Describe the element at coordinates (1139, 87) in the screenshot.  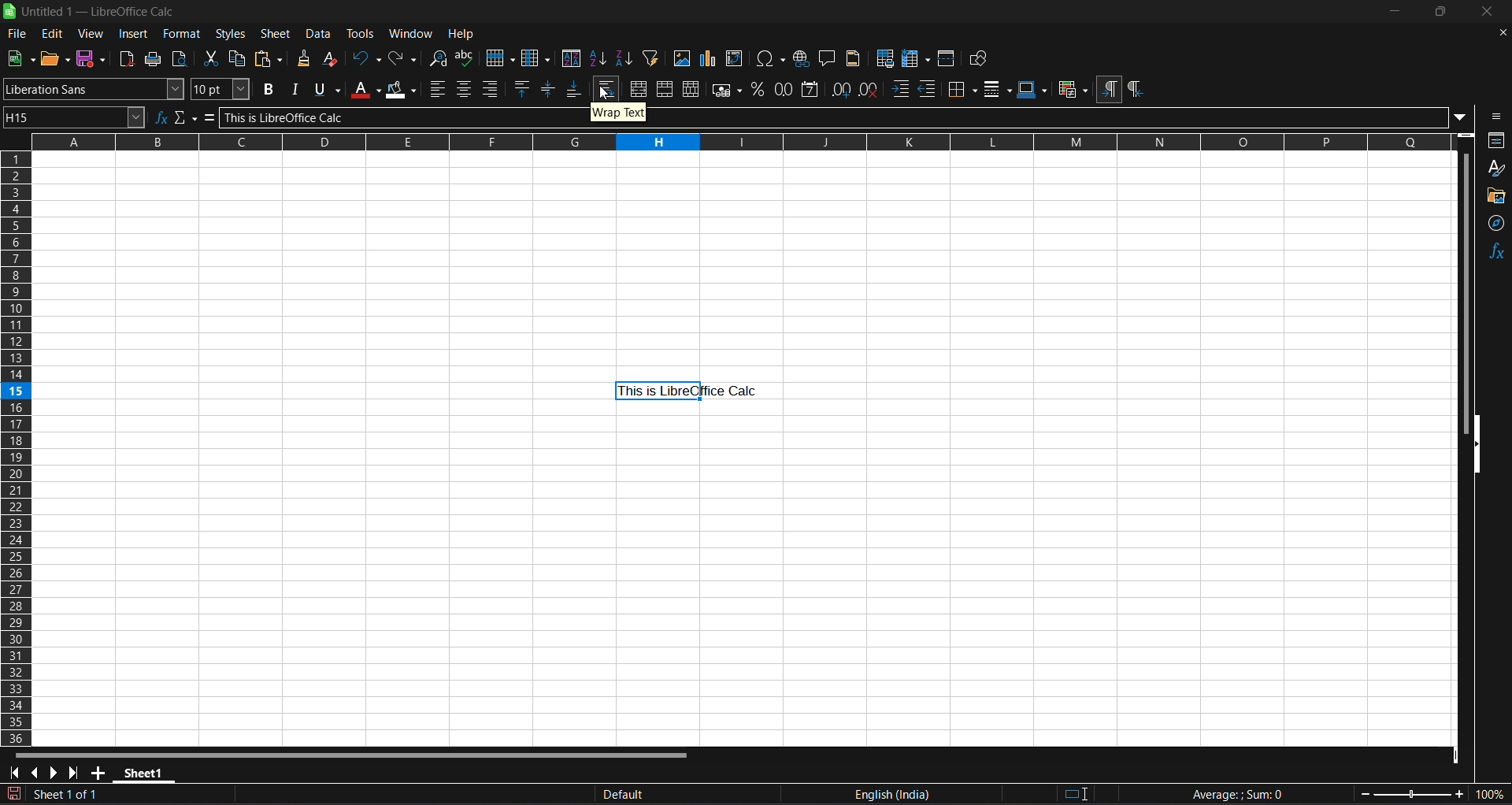
I see `right to left` at that location.